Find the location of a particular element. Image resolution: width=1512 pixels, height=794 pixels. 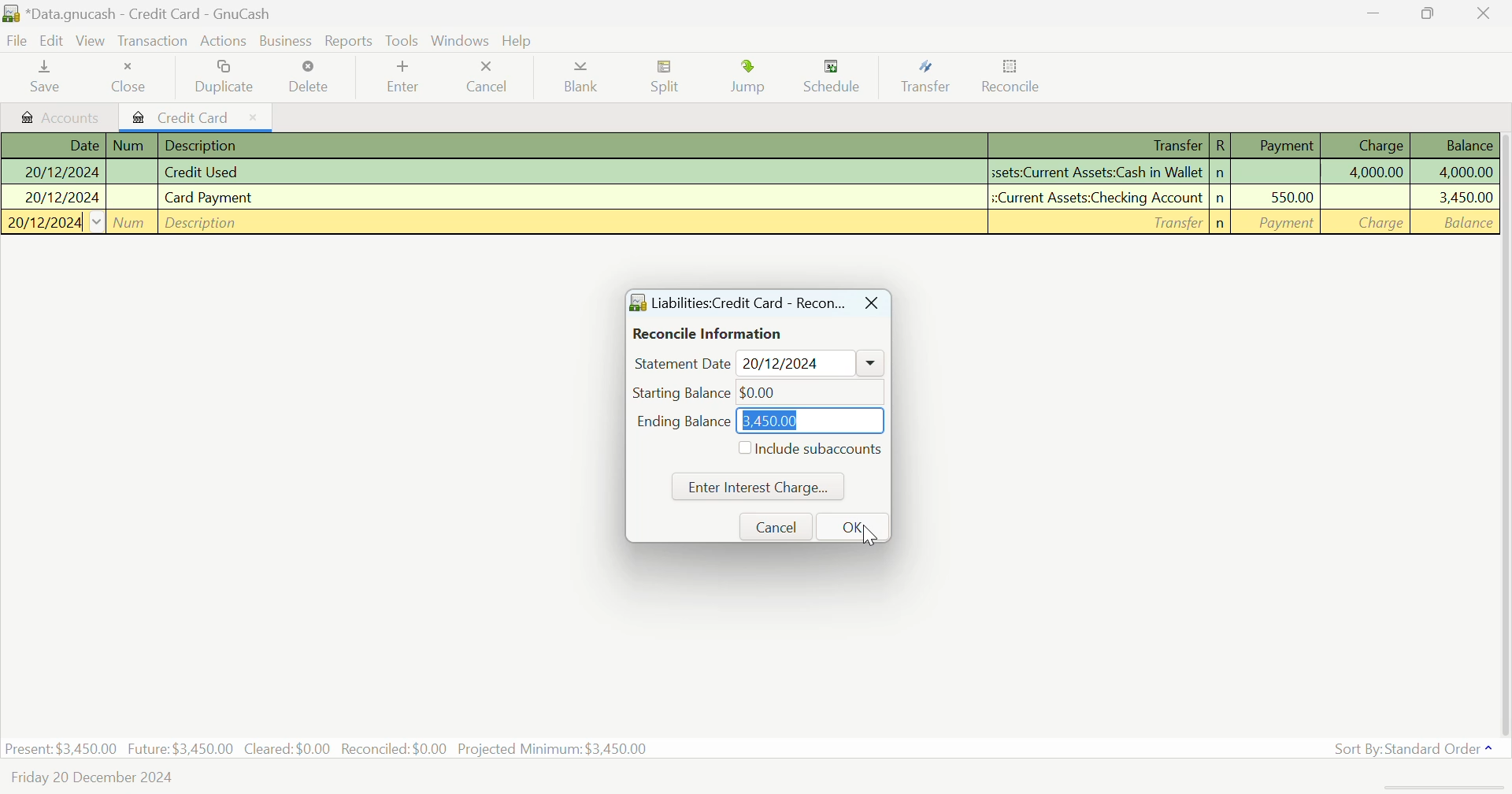

Sort By: Standard Order is located at coordinates (1417, 748).